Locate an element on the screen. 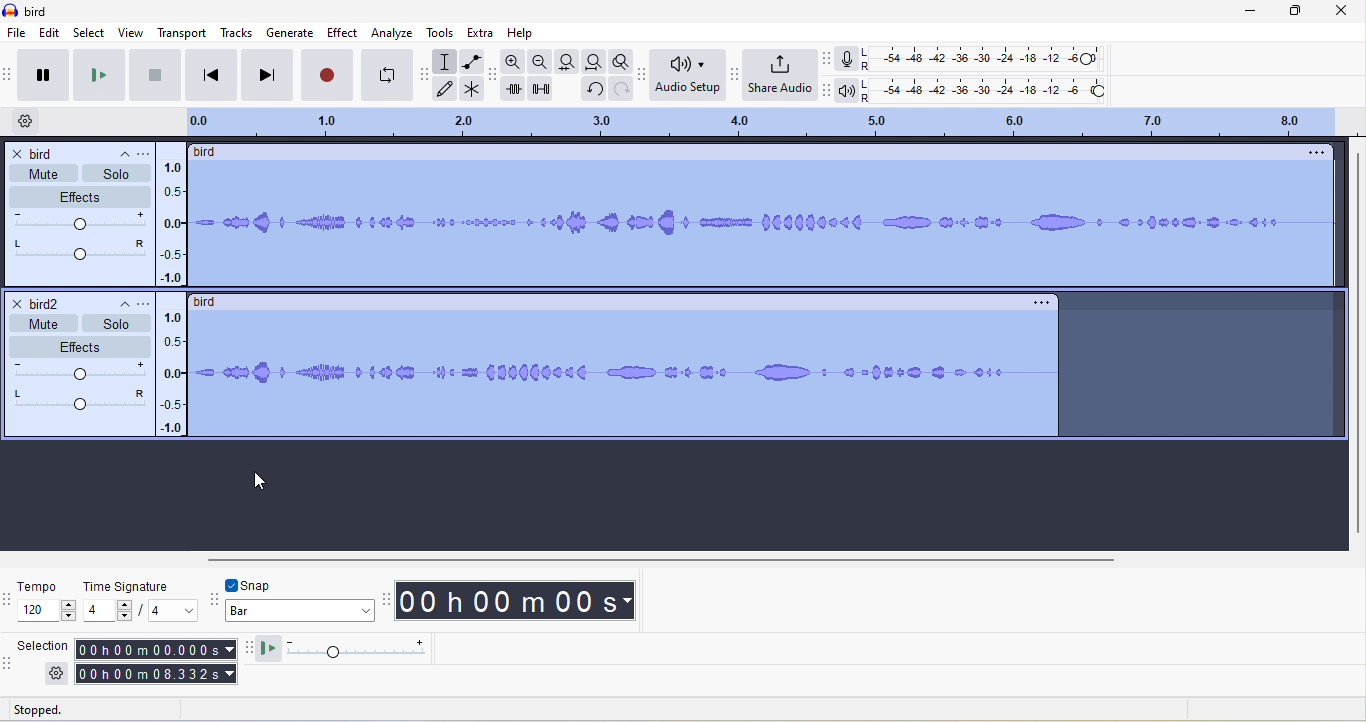 The width and height of the screenshot is (1366, 722). select waveform is located at coordinates (763, 299).